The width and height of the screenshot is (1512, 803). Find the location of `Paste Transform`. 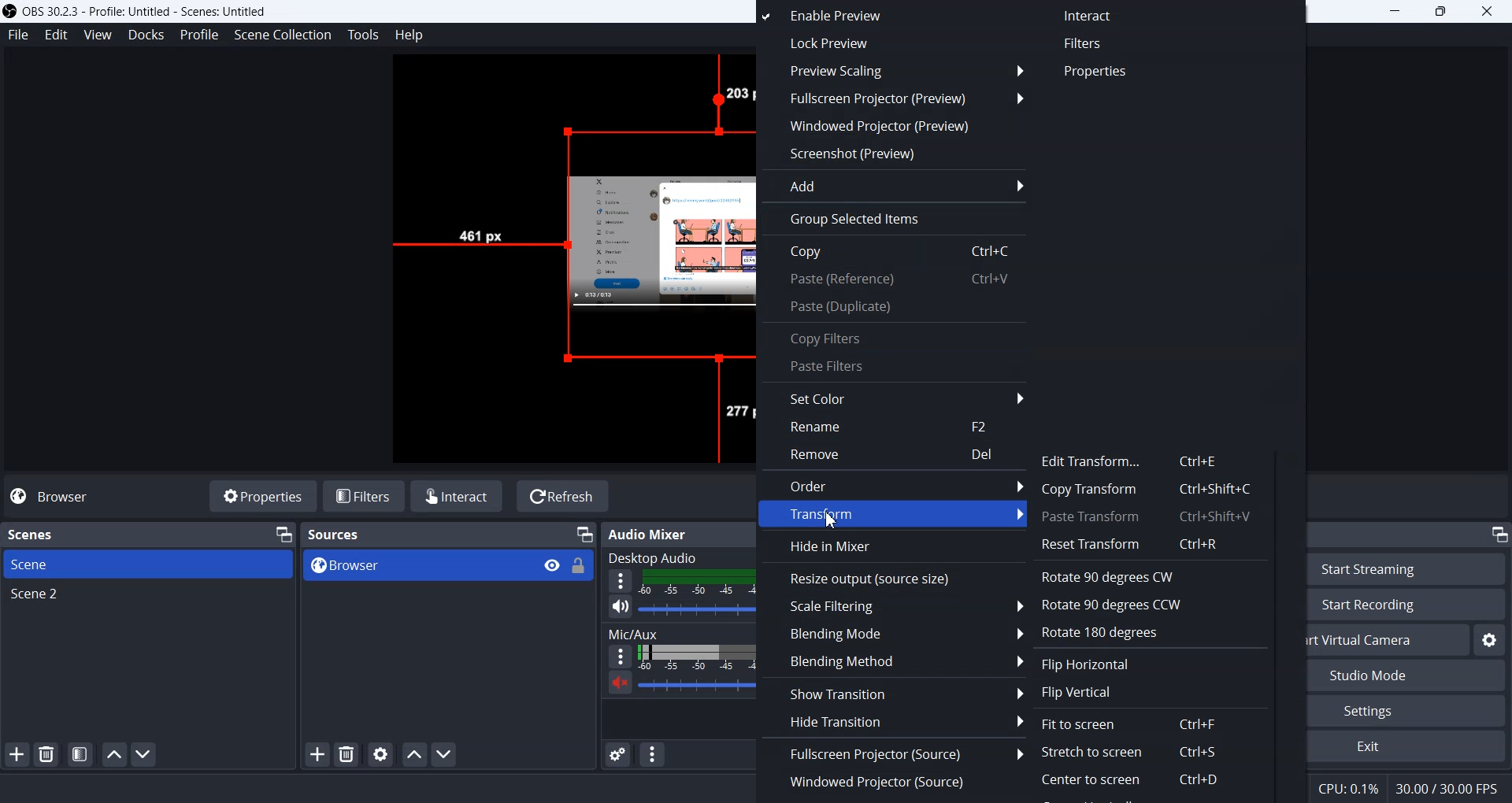

Paste Transform is located at coordinates (1144, 518).